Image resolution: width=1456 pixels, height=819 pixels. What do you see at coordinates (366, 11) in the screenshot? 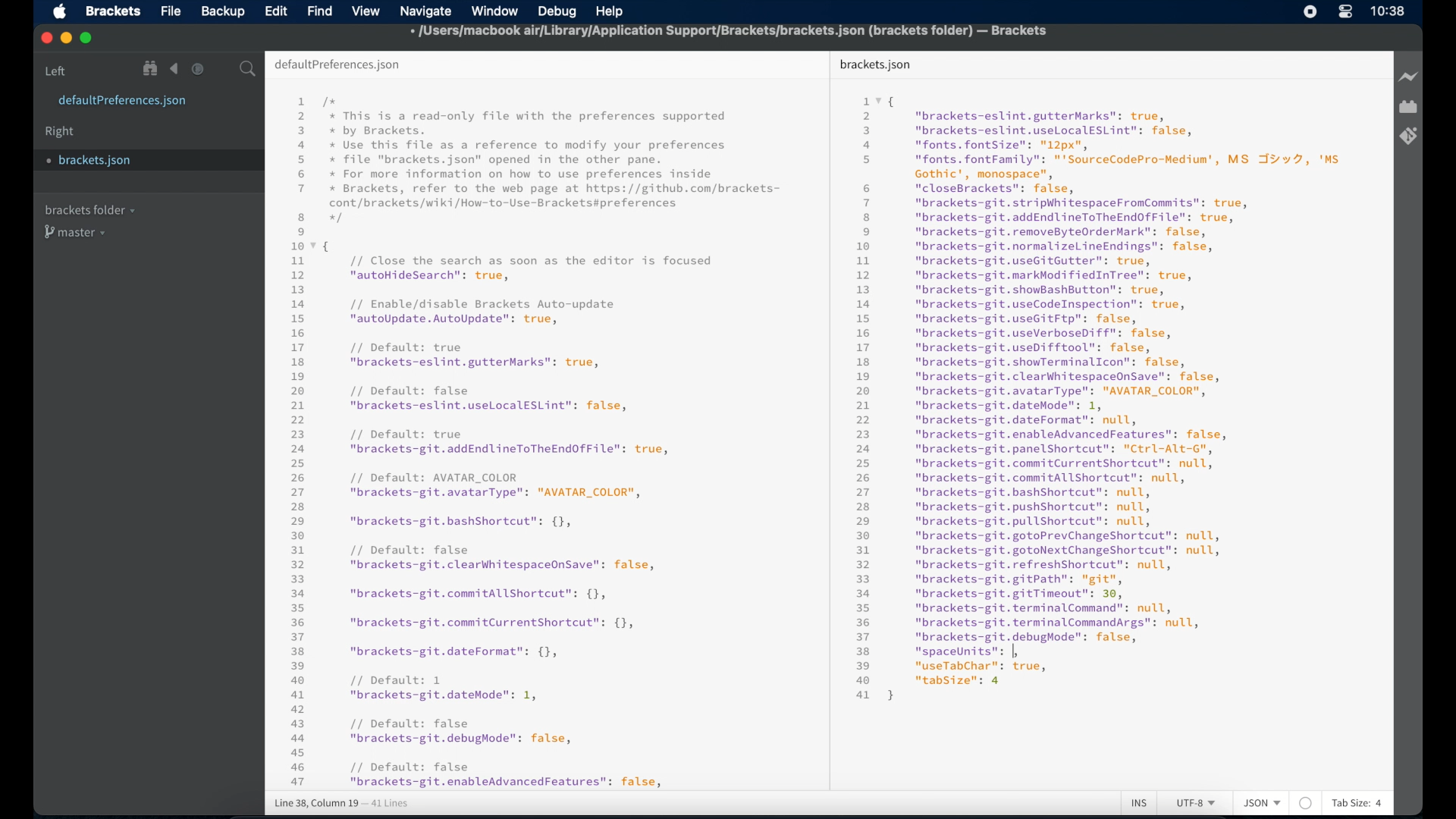
I see `view` at bounding box center [366, 11].